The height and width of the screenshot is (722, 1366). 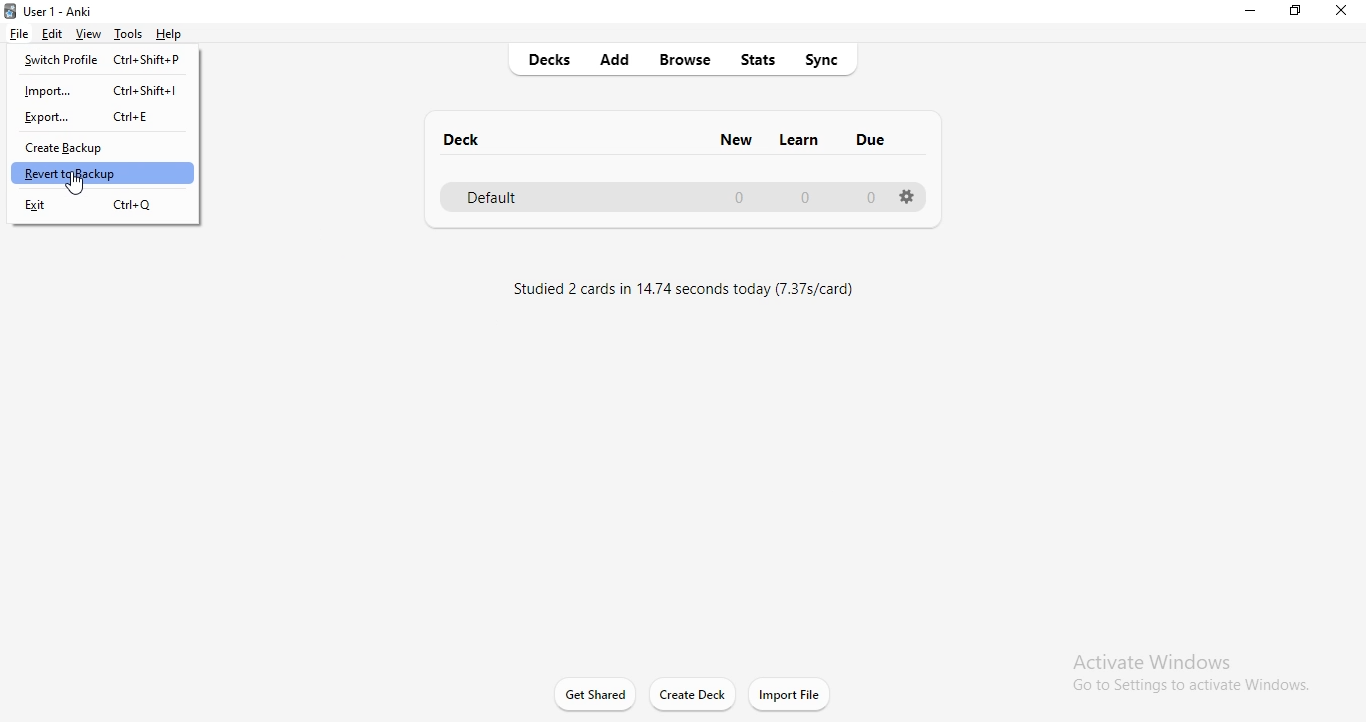 What do you see at coordinates (88, 33) in the screenshot?
I see `view` at bounding box center [88, 33].